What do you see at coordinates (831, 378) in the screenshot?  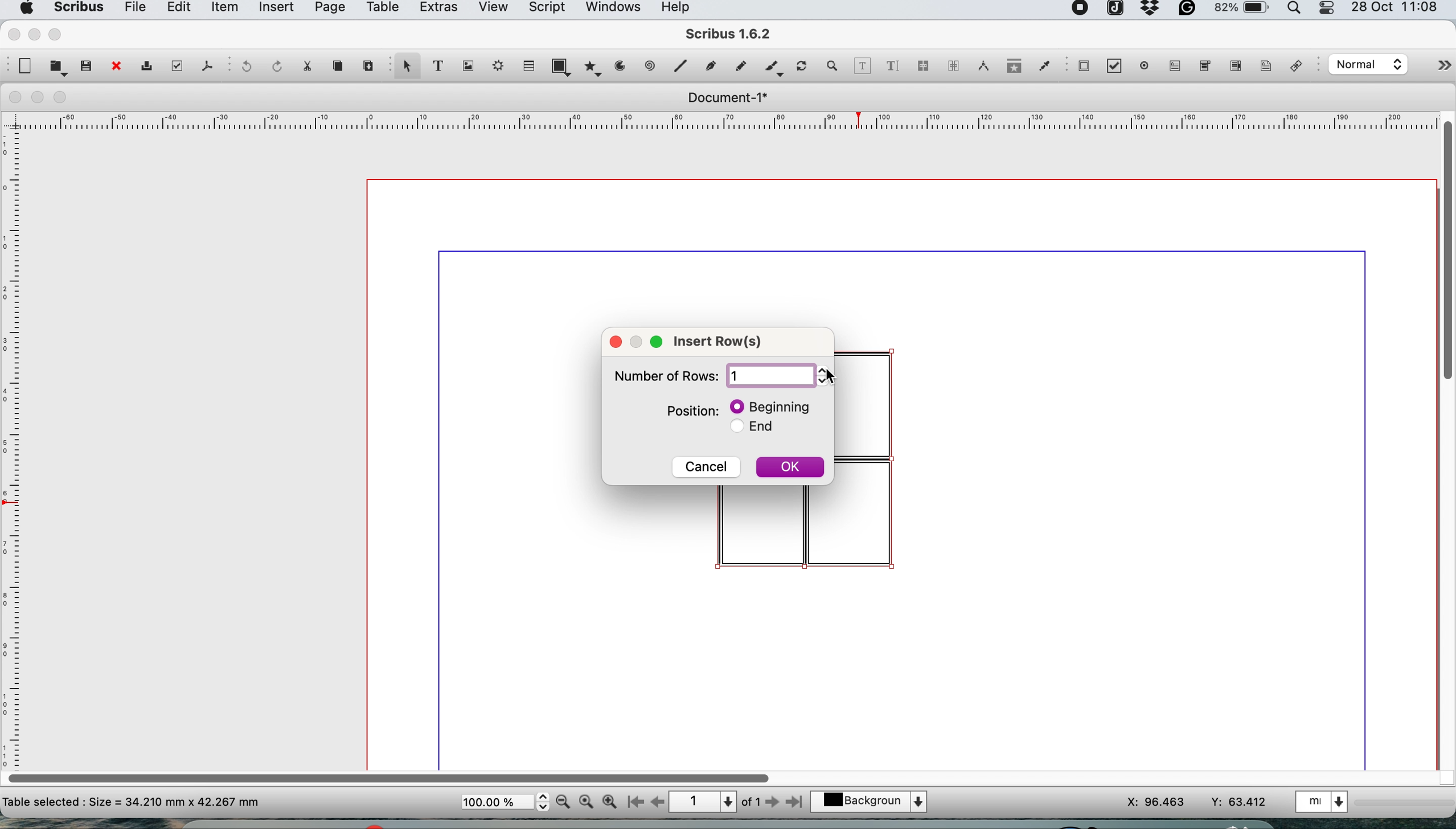 I see `cursor` at bounding box center [831, 378].